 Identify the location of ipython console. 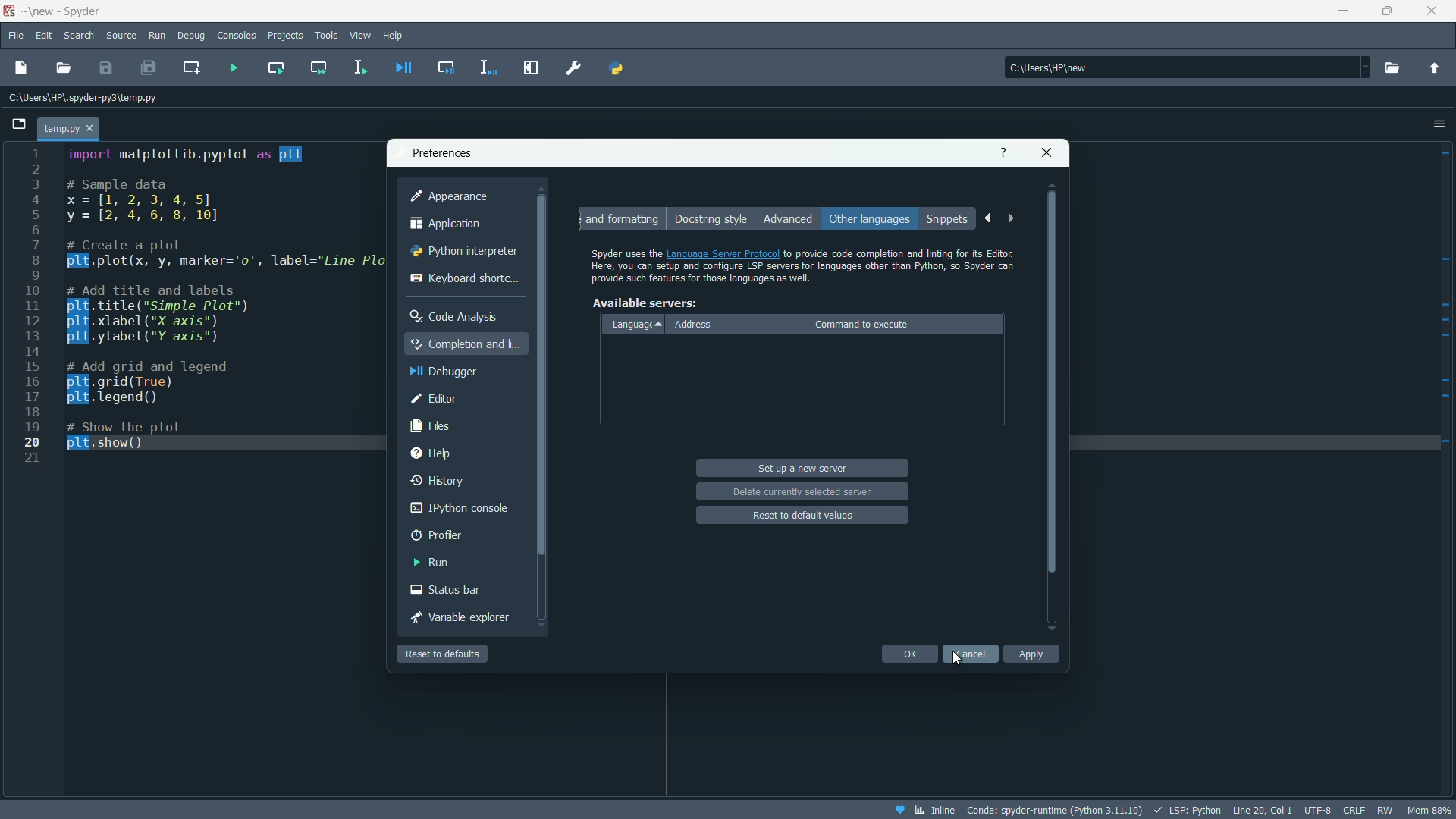
(457, 508).